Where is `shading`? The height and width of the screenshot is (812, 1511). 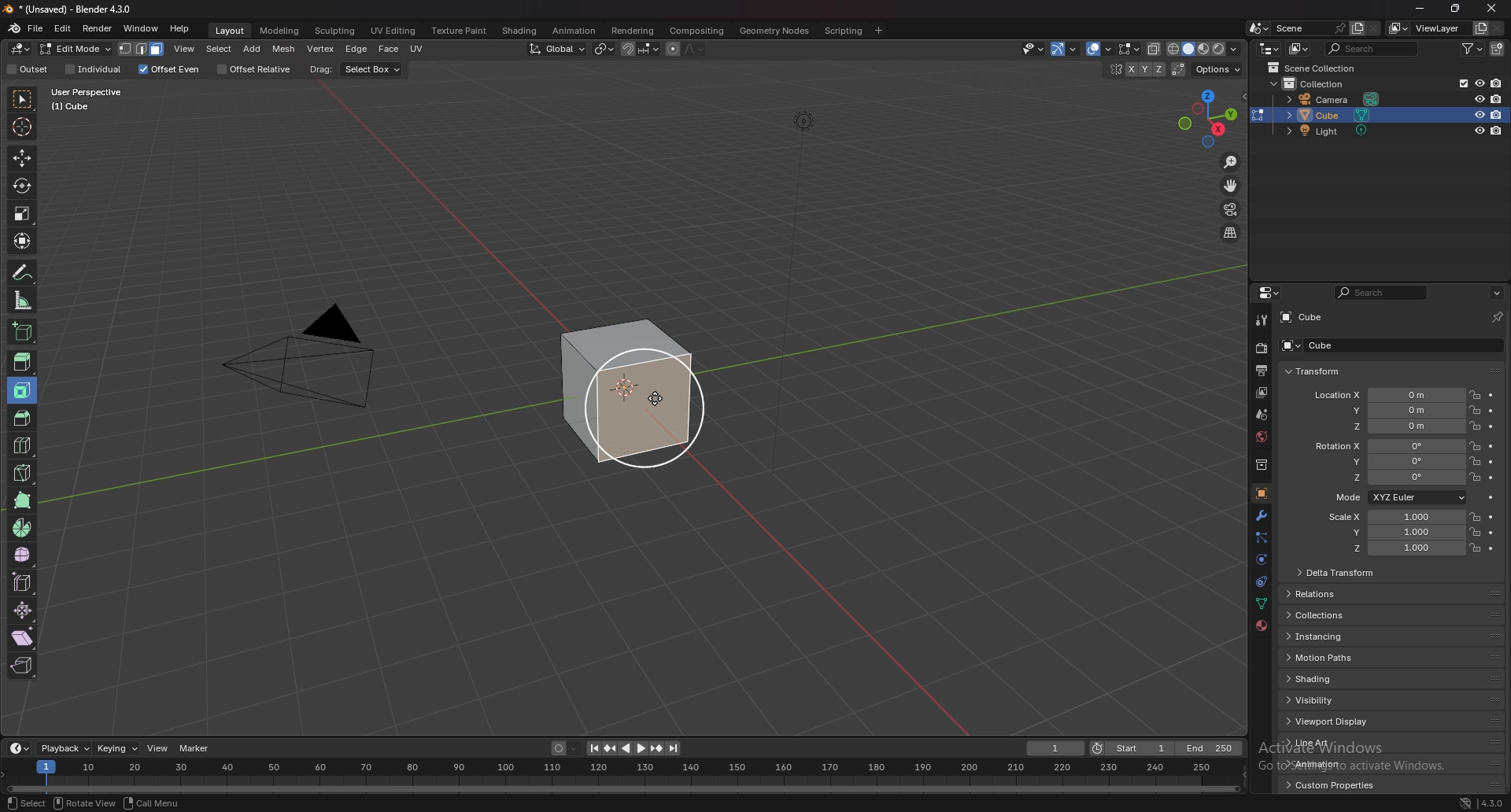 shading is located at coordinates (521, 30).